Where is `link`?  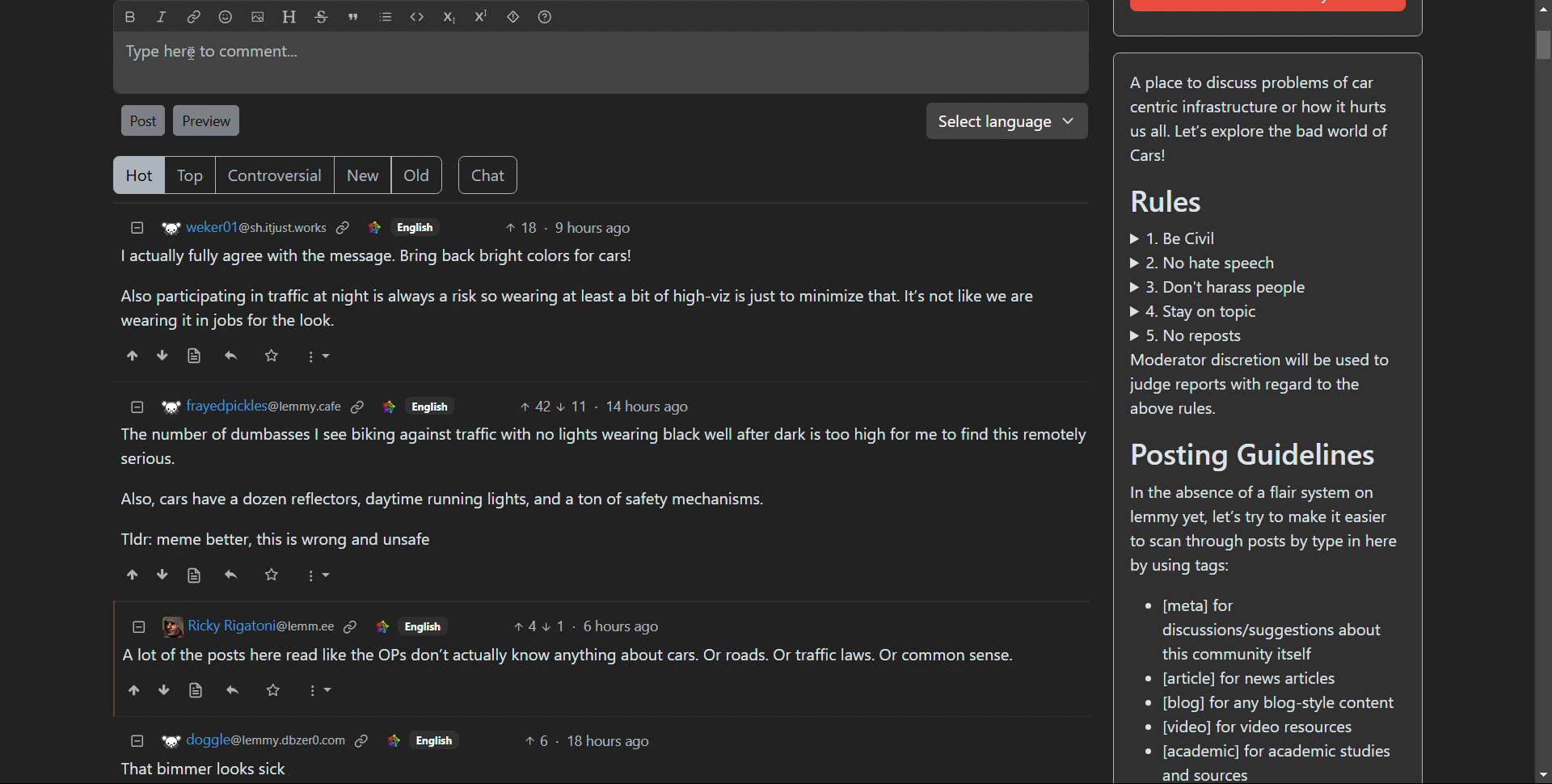 link is located at coordinates (388, 406).